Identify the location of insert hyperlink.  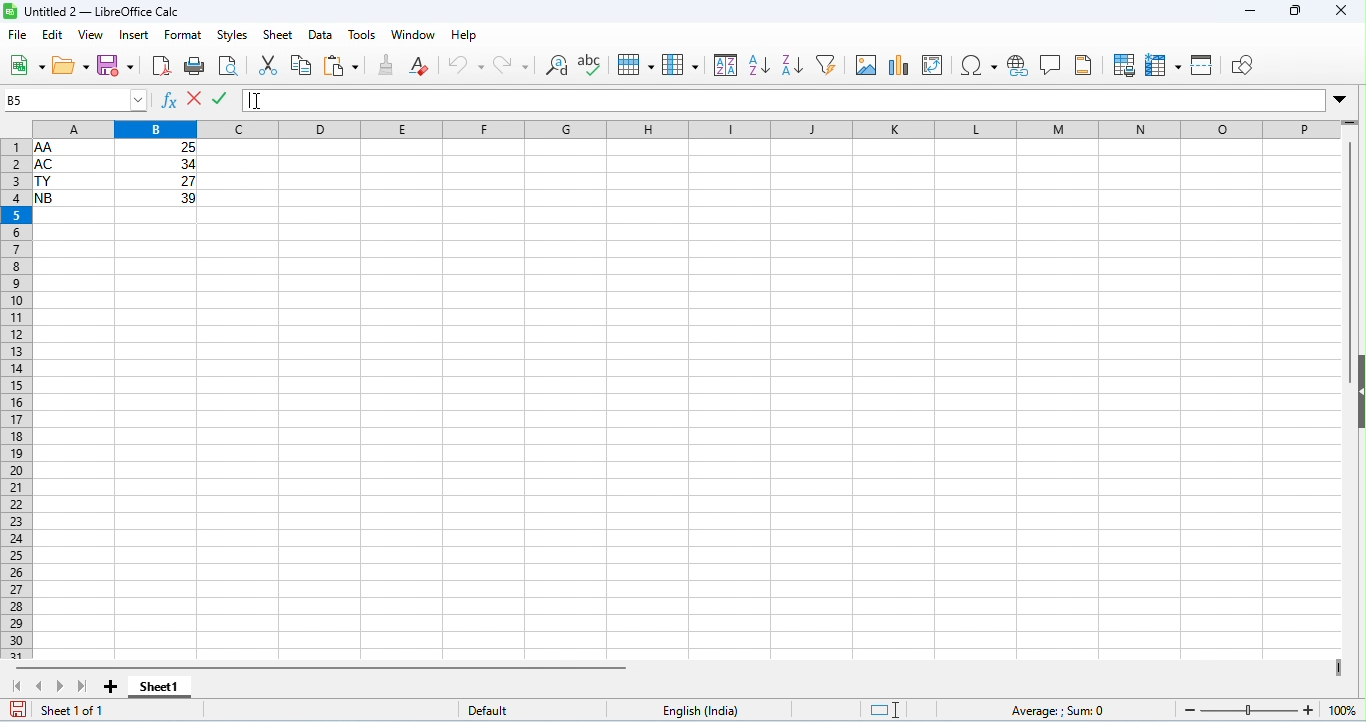
(1017, 67).